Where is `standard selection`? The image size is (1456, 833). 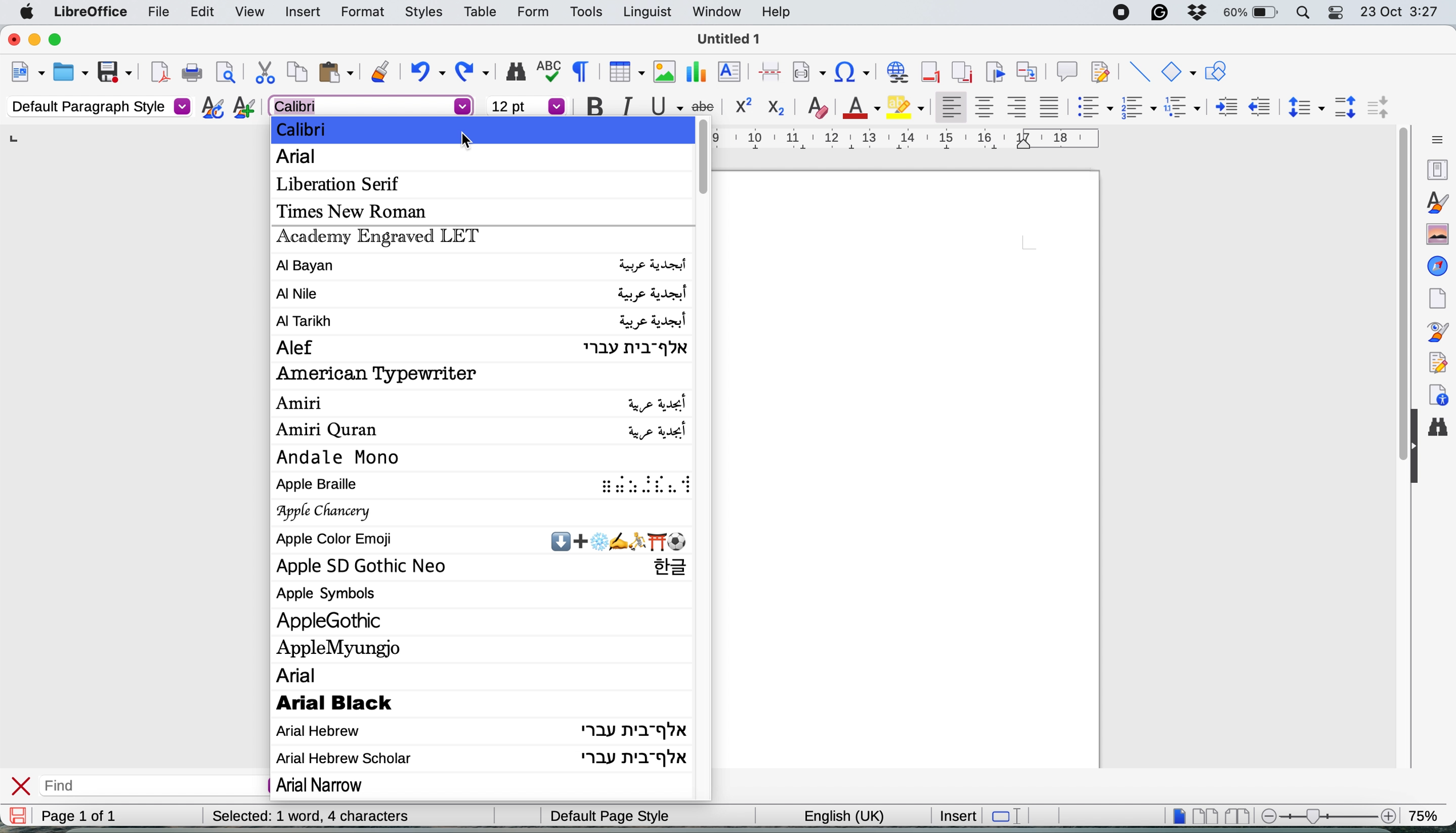 standard selection is located at coordinates (1004, 815).